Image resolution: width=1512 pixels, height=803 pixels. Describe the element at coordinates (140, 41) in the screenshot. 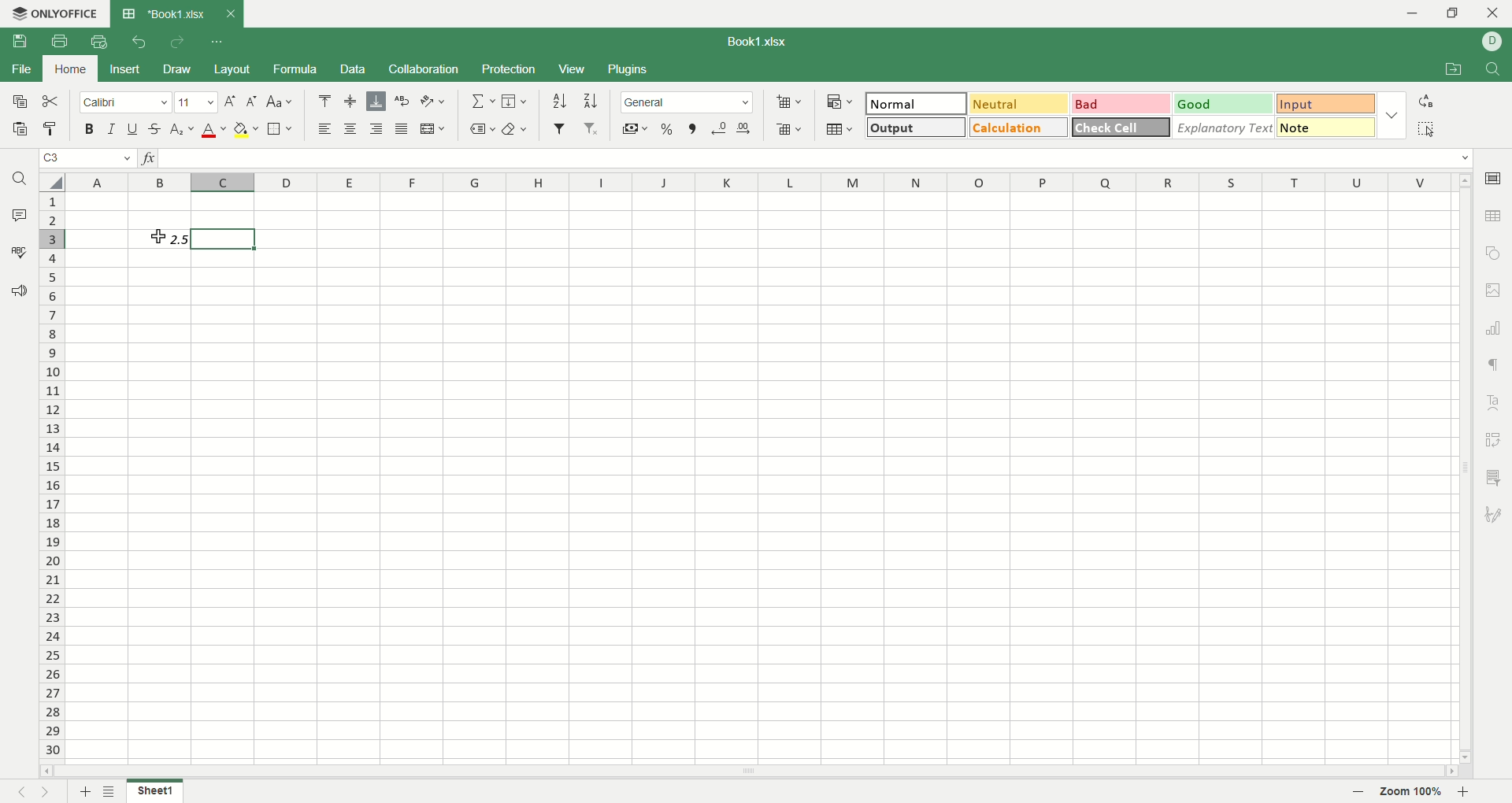

I see `undo` at that location.